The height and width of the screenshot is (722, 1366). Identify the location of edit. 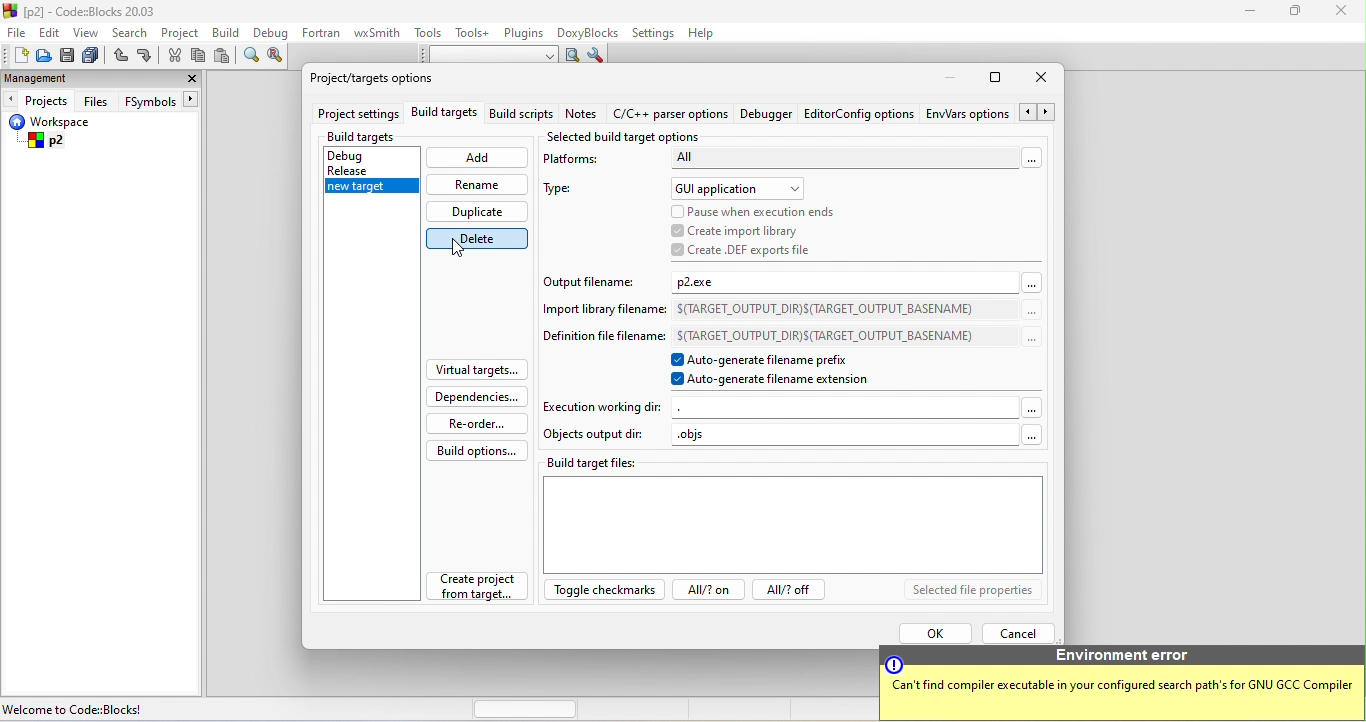
(51, 34).